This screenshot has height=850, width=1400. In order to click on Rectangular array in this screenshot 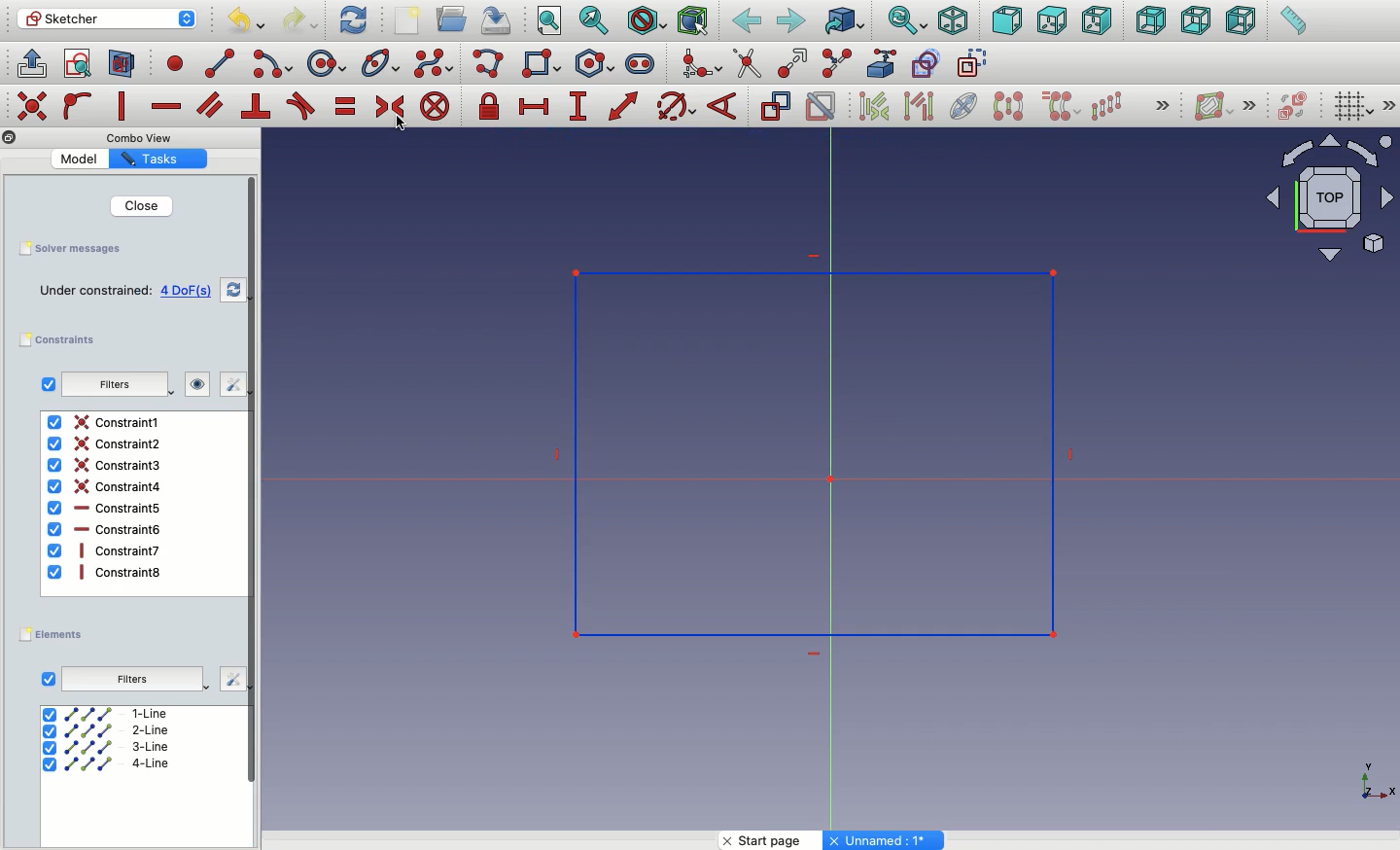, I will do `click(1108, 106)`.